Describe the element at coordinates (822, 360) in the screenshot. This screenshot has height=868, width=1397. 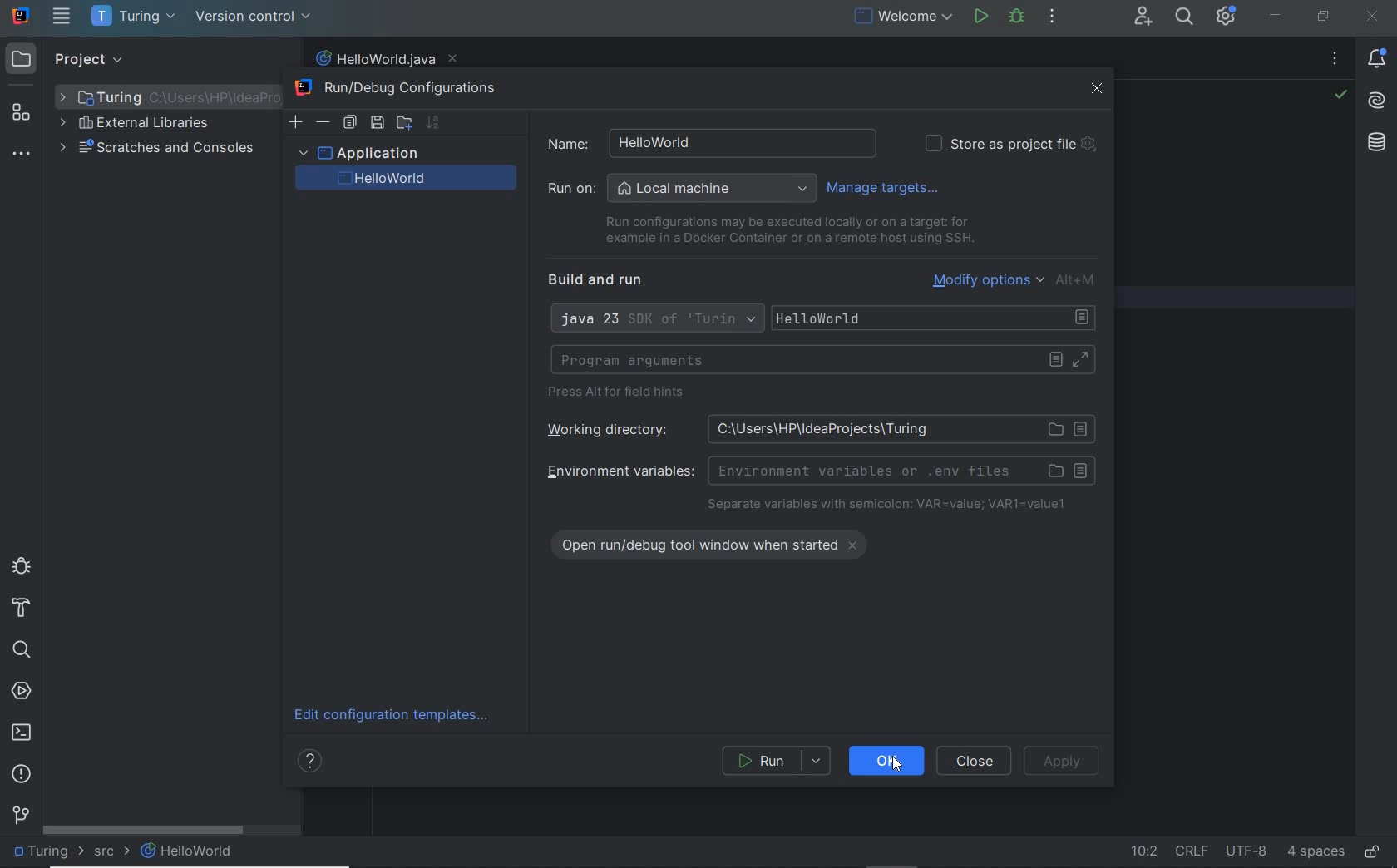
I see `program arguments` at that location.